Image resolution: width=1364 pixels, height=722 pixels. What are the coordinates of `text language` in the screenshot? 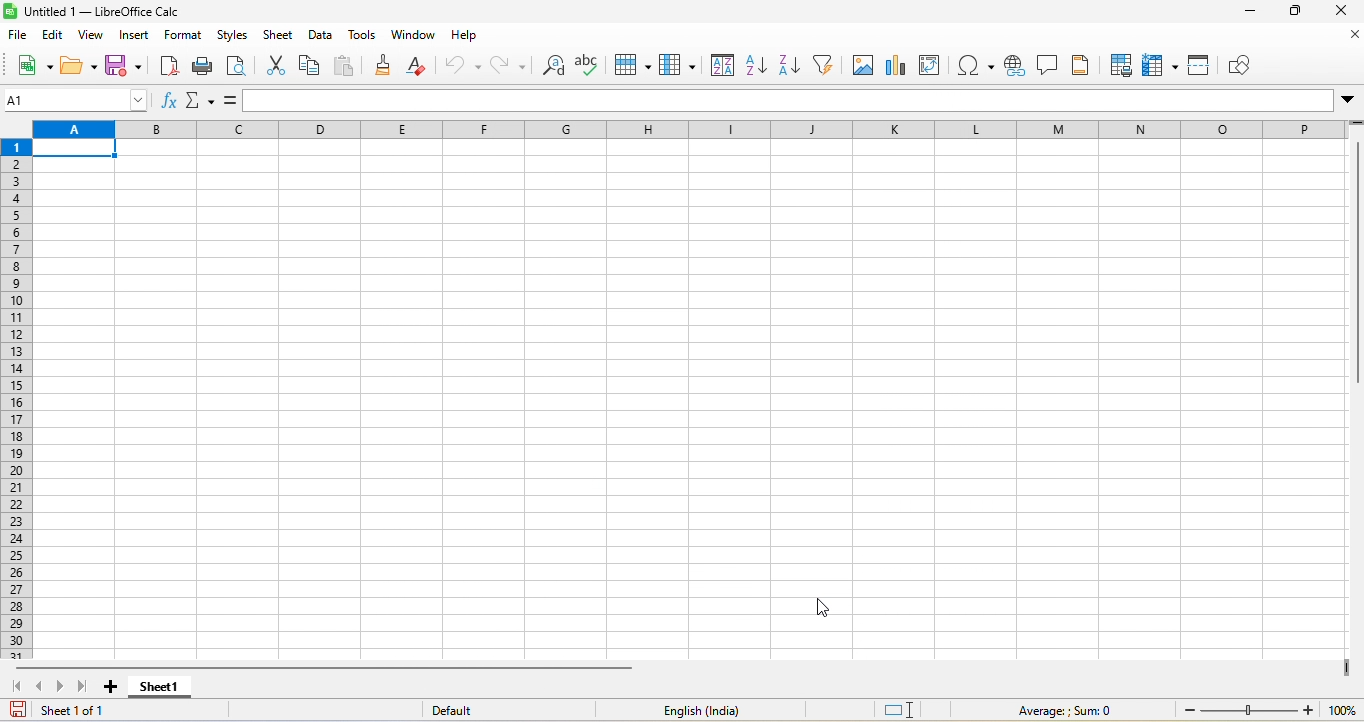 It's located at (704, 710).